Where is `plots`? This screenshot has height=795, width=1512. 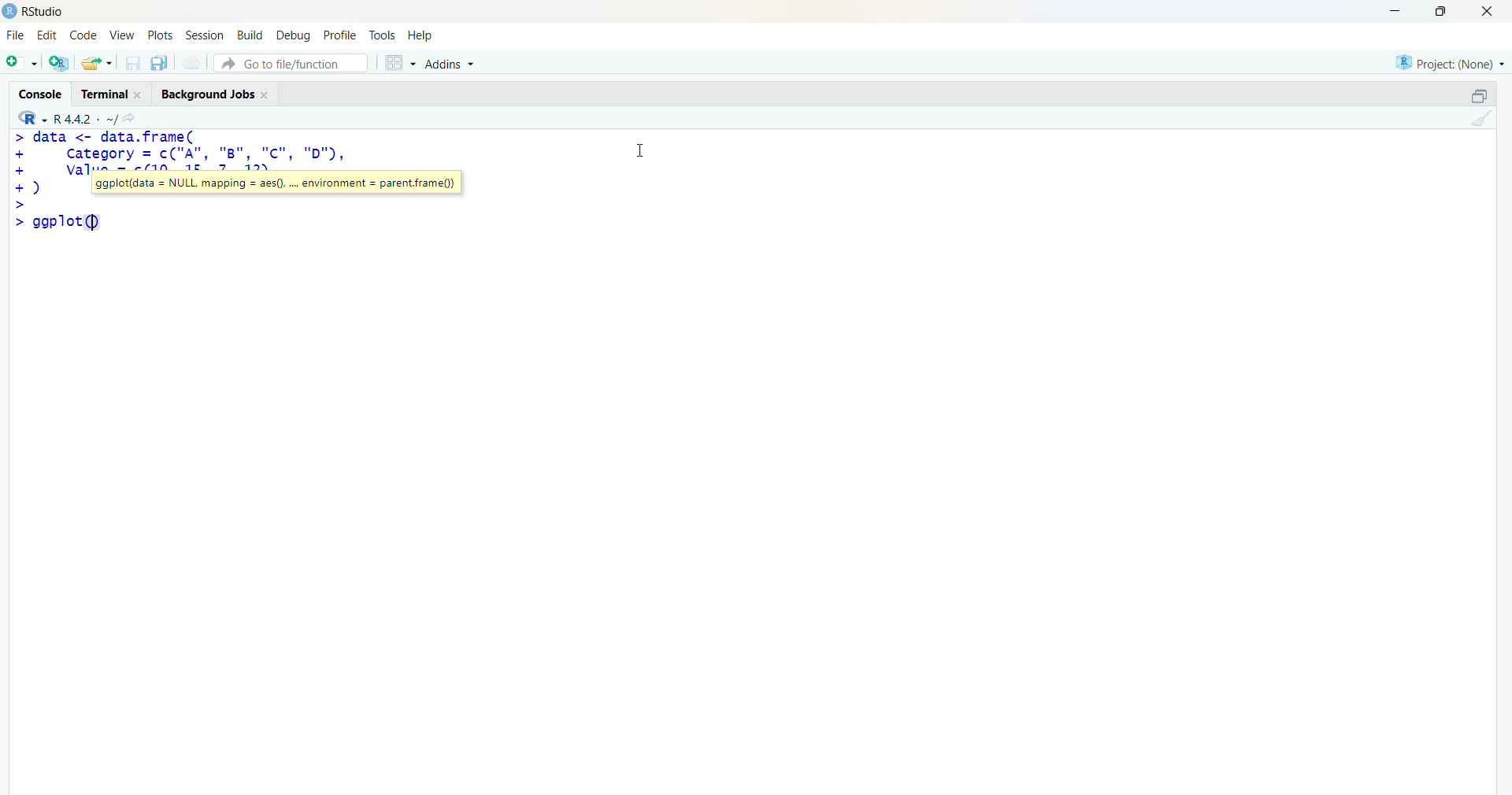 plots is located at coordinates (162, 35).